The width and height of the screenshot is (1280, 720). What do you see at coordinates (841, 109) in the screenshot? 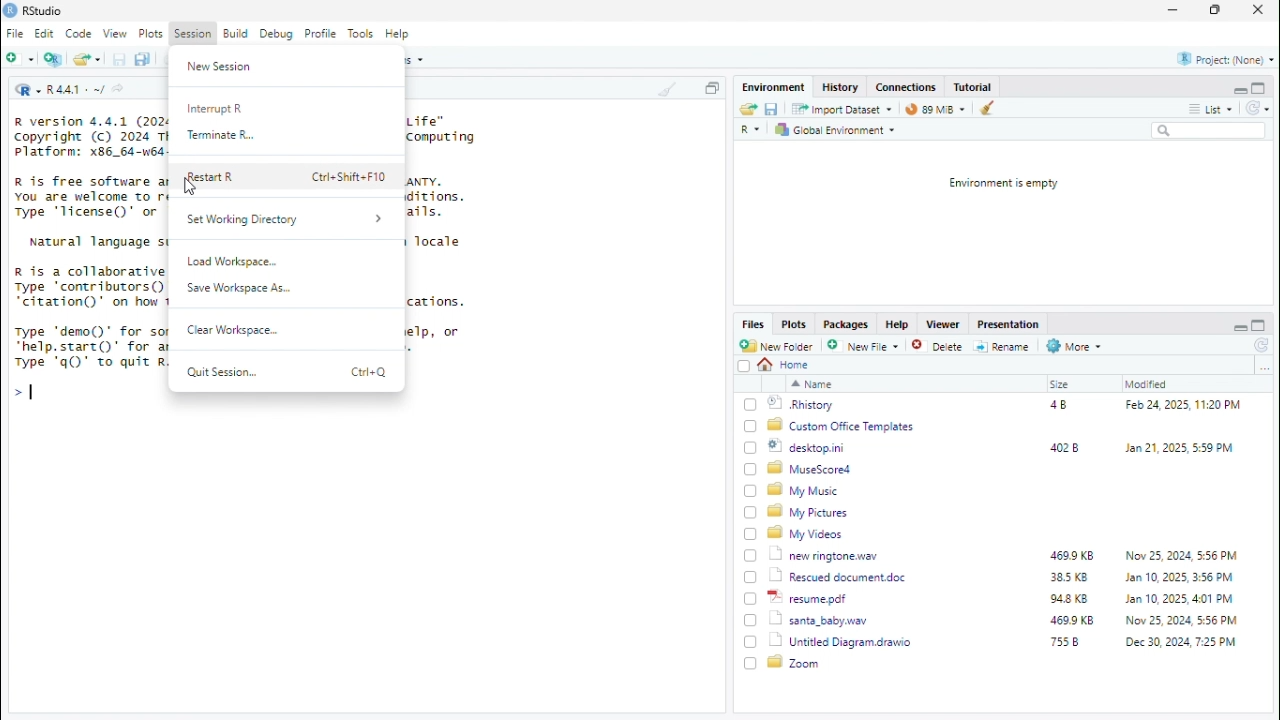
I see `Import Dataset` at bounding box center [841, 109].